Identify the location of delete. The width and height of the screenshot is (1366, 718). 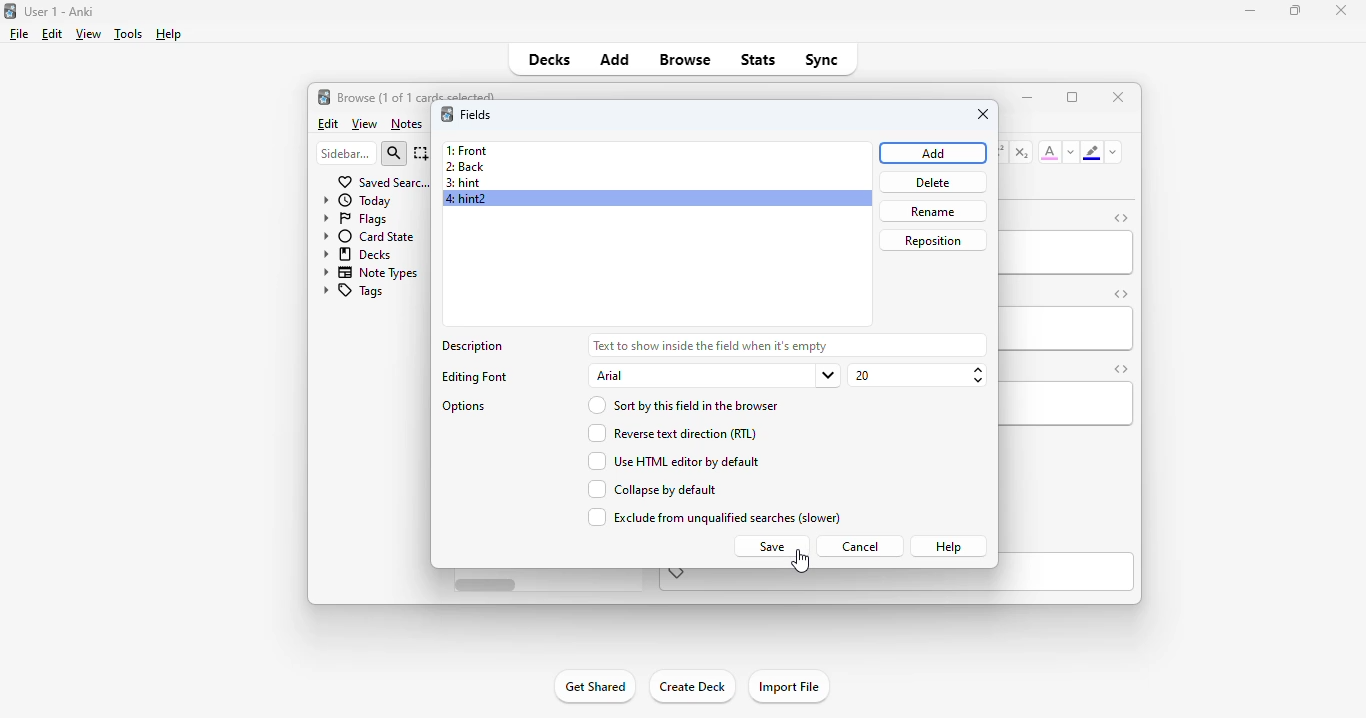
(933, 183).